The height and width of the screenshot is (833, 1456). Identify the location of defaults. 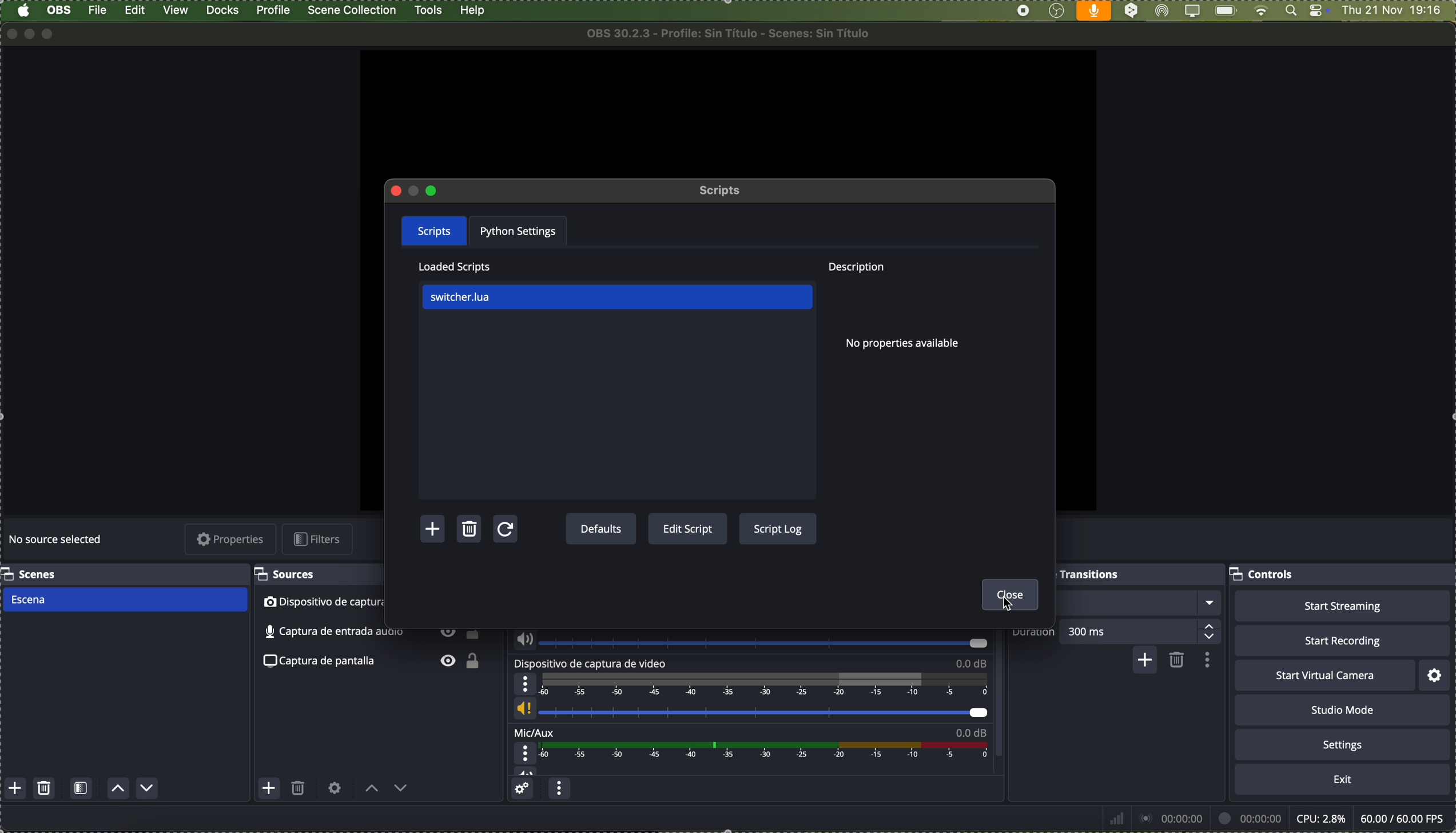
(600, 530).